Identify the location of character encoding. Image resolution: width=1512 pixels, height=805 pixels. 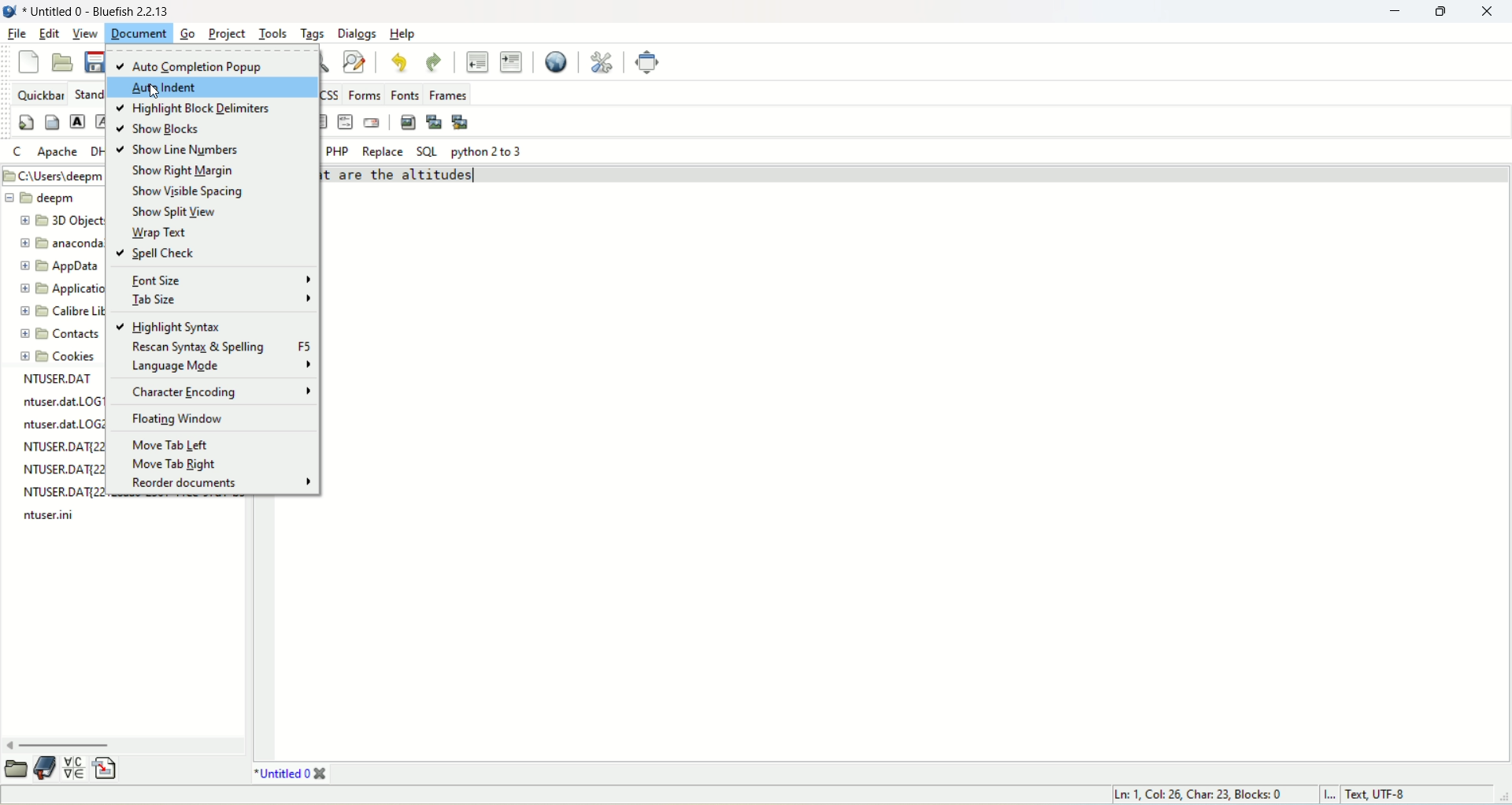
(220, 393).